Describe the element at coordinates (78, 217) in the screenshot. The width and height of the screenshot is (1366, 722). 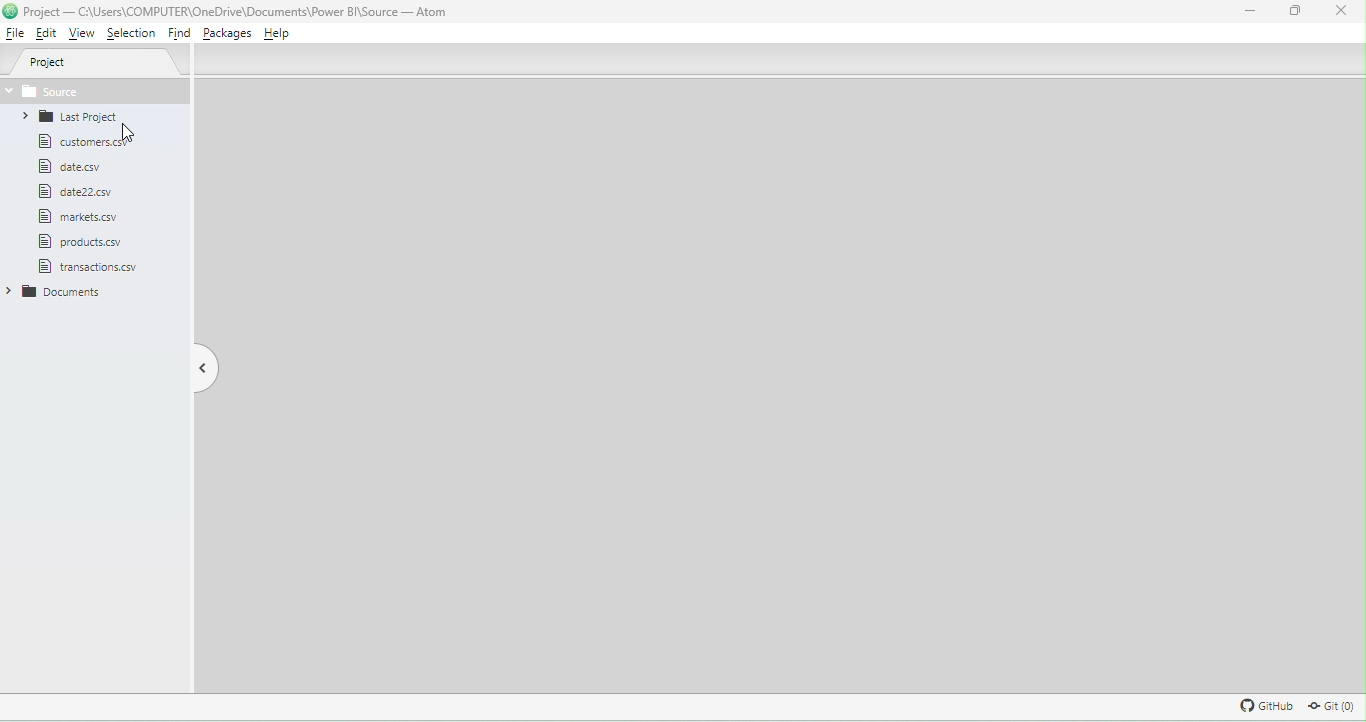
I see `File` at that location.